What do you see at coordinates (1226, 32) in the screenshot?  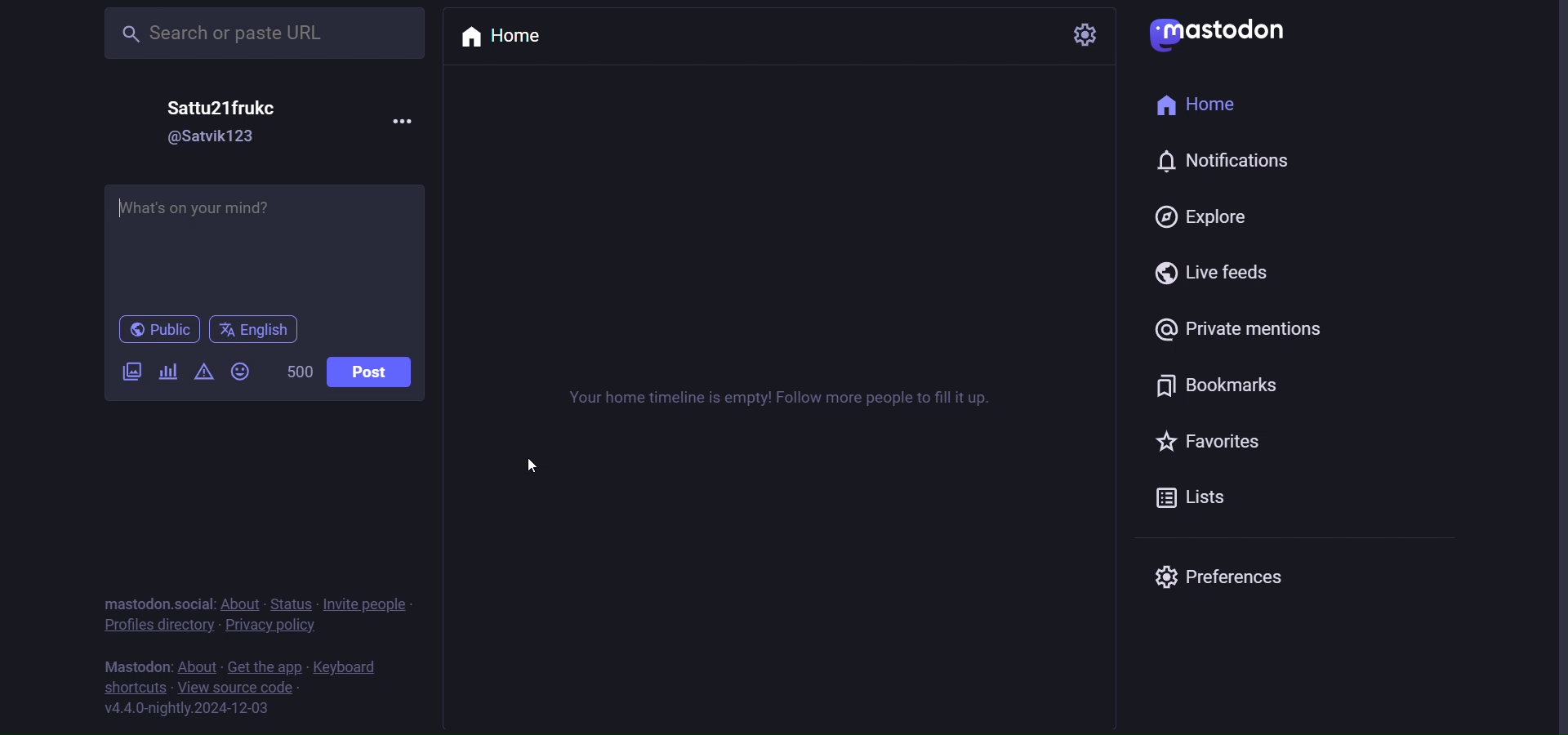 I see `mastodon` at bounding box center [1226, 32].